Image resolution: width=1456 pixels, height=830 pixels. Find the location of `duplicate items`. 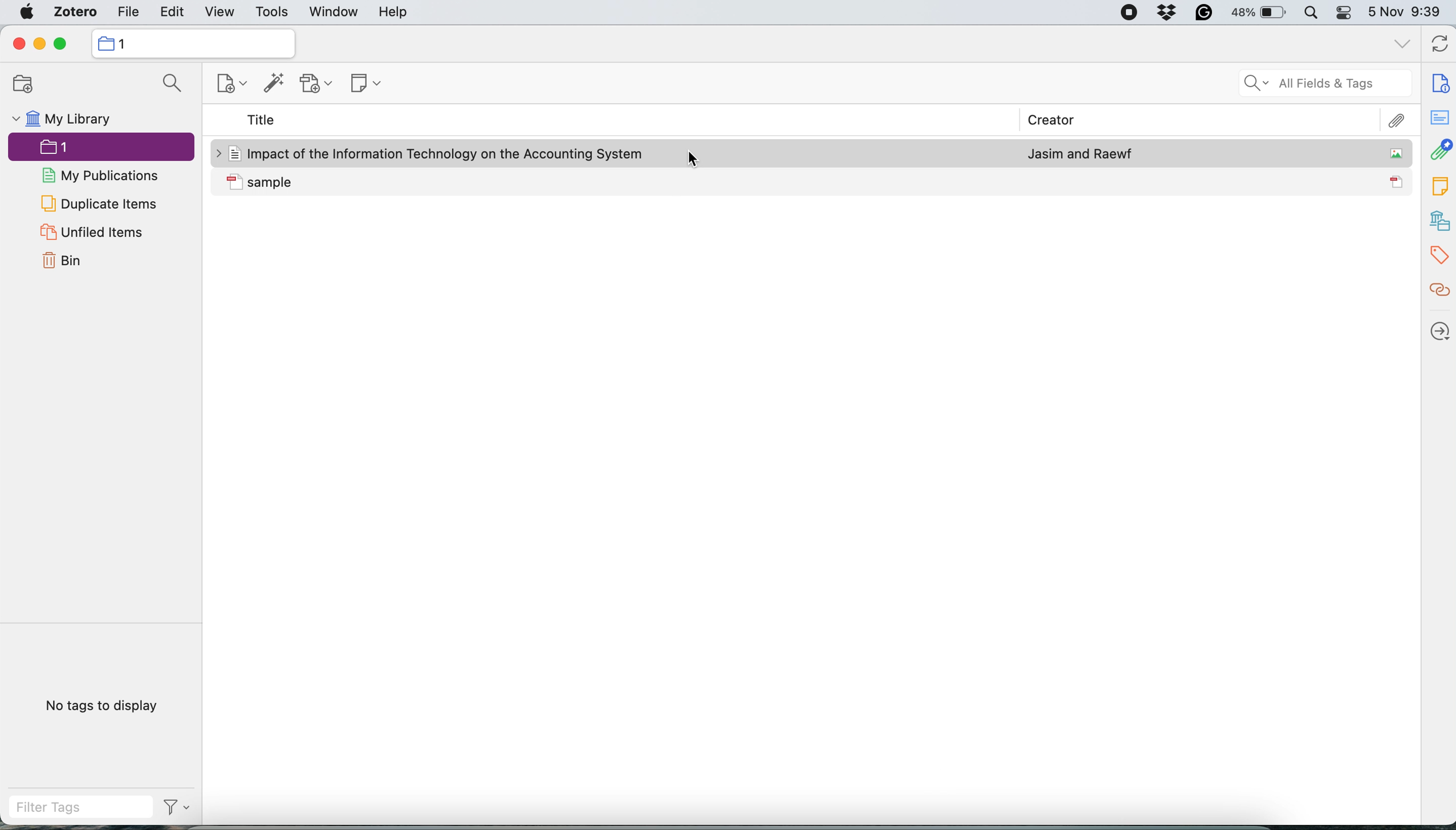

duplicate items is located at coordinates (100, 204).